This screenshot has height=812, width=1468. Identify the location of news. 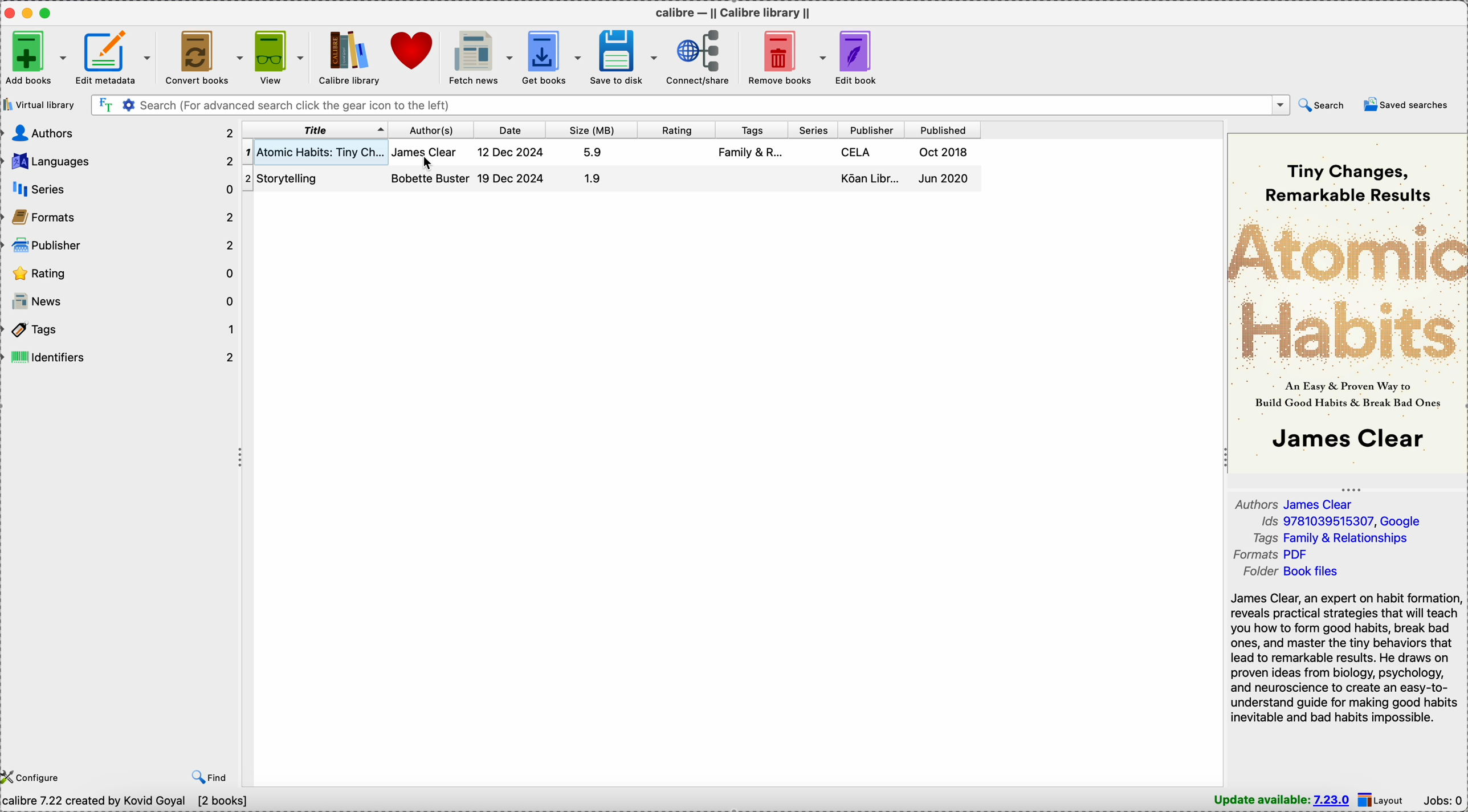
(121, 302).